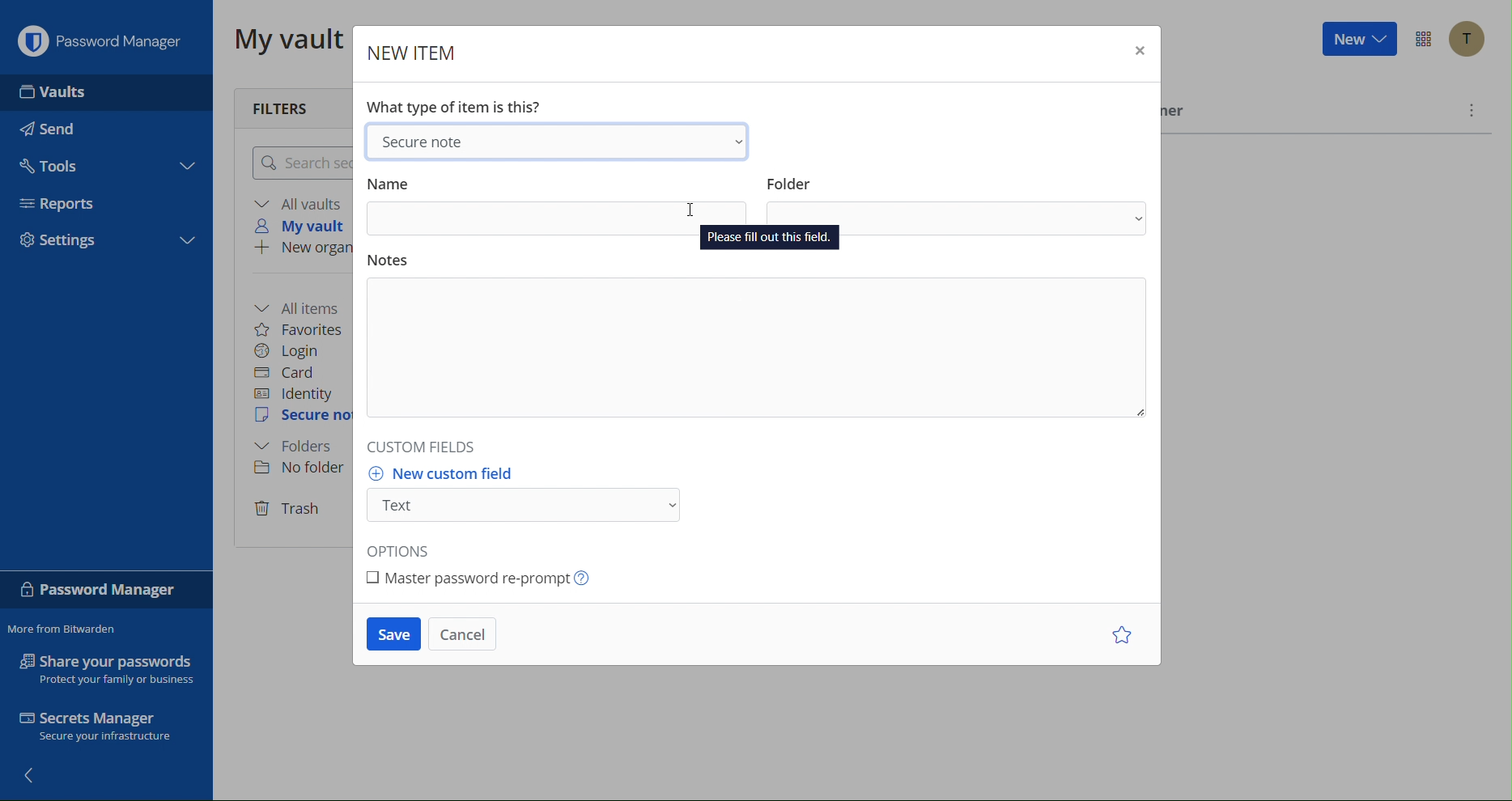 This screenshot has height=801, width=1512. I want to click on Identity, so click(297, 393).